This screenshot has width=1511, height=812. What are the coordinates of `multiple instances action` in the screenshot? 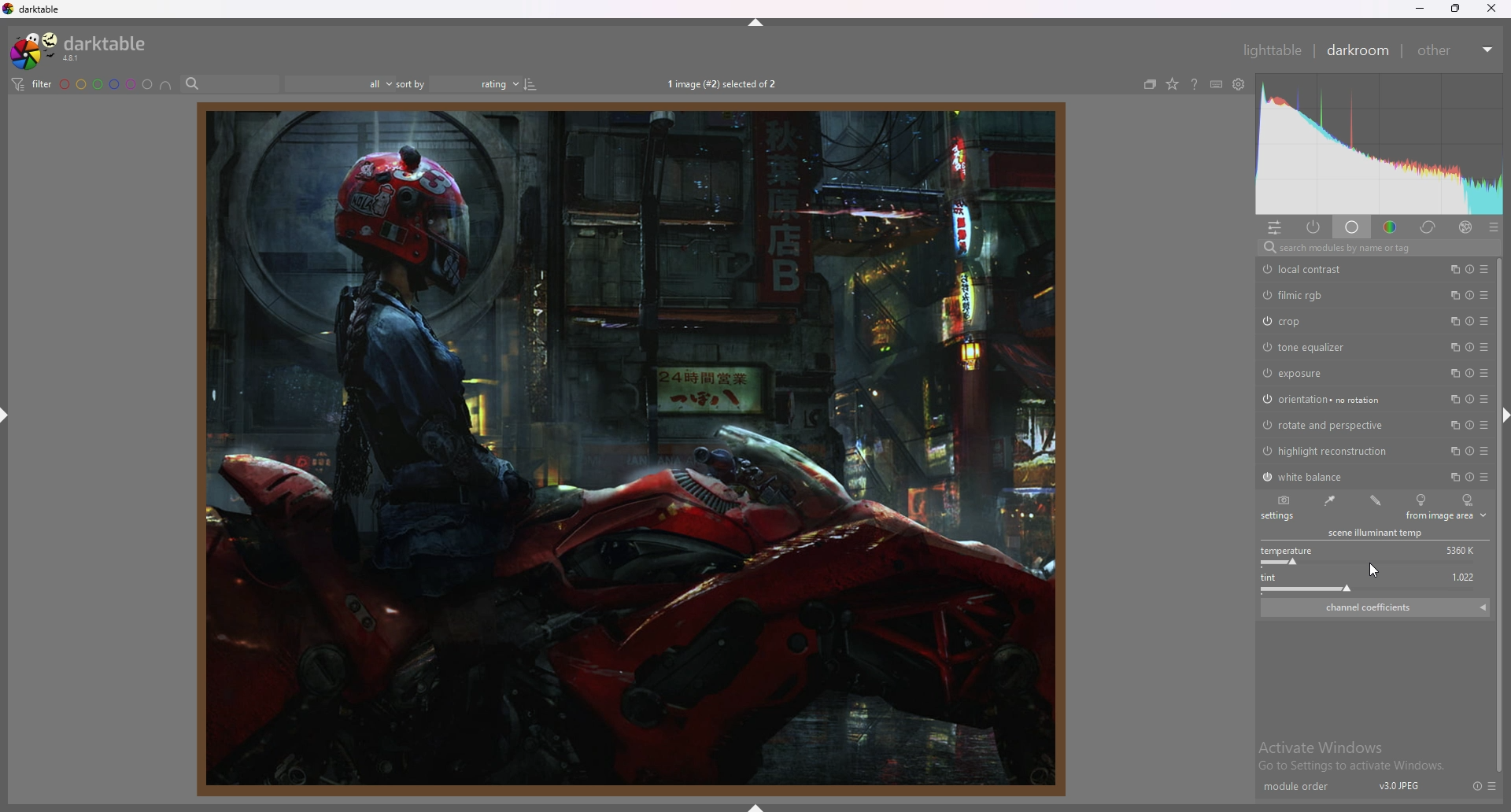 It's located at (1450, 269).